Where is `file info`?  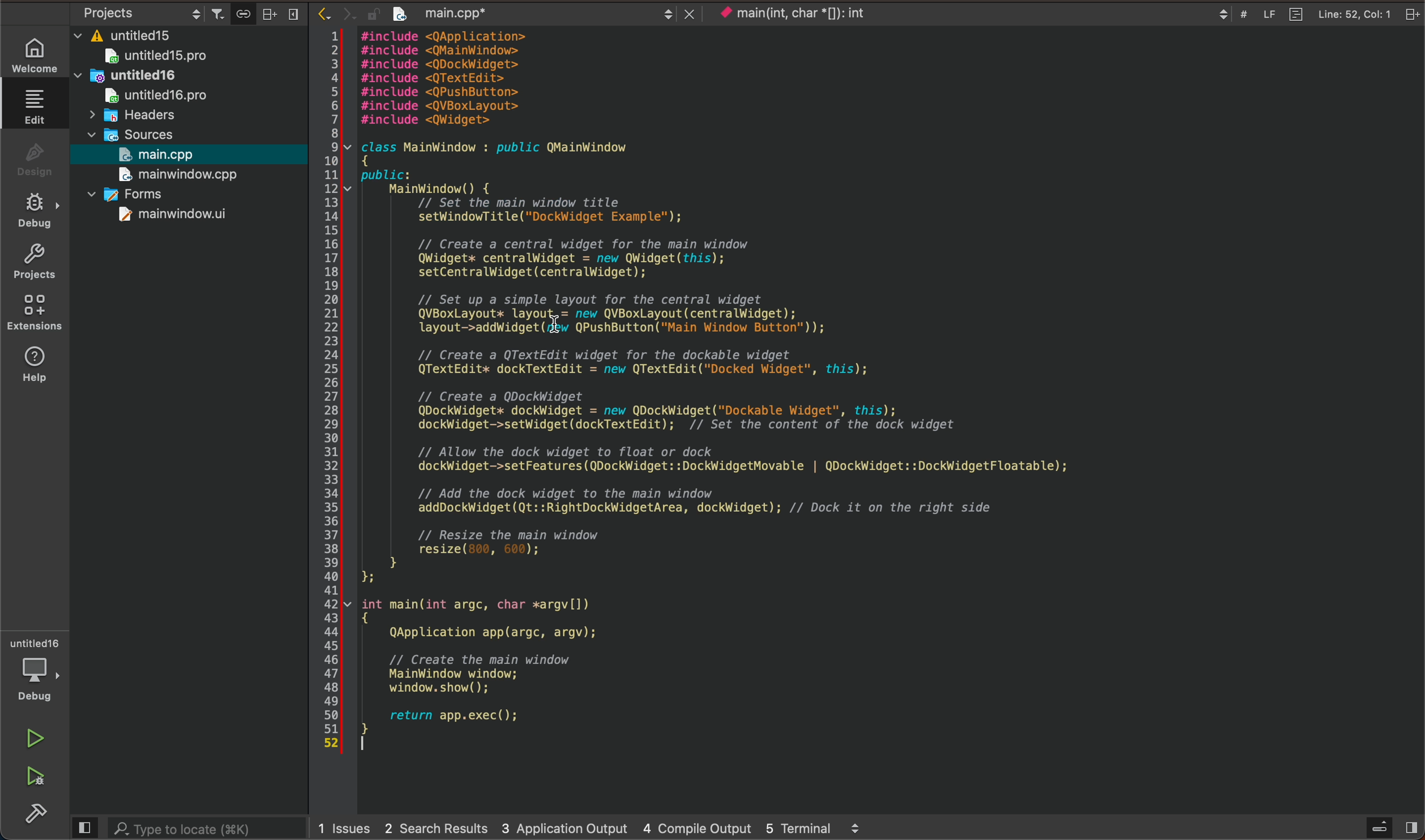
file info is located at coordinates (1313, 14).